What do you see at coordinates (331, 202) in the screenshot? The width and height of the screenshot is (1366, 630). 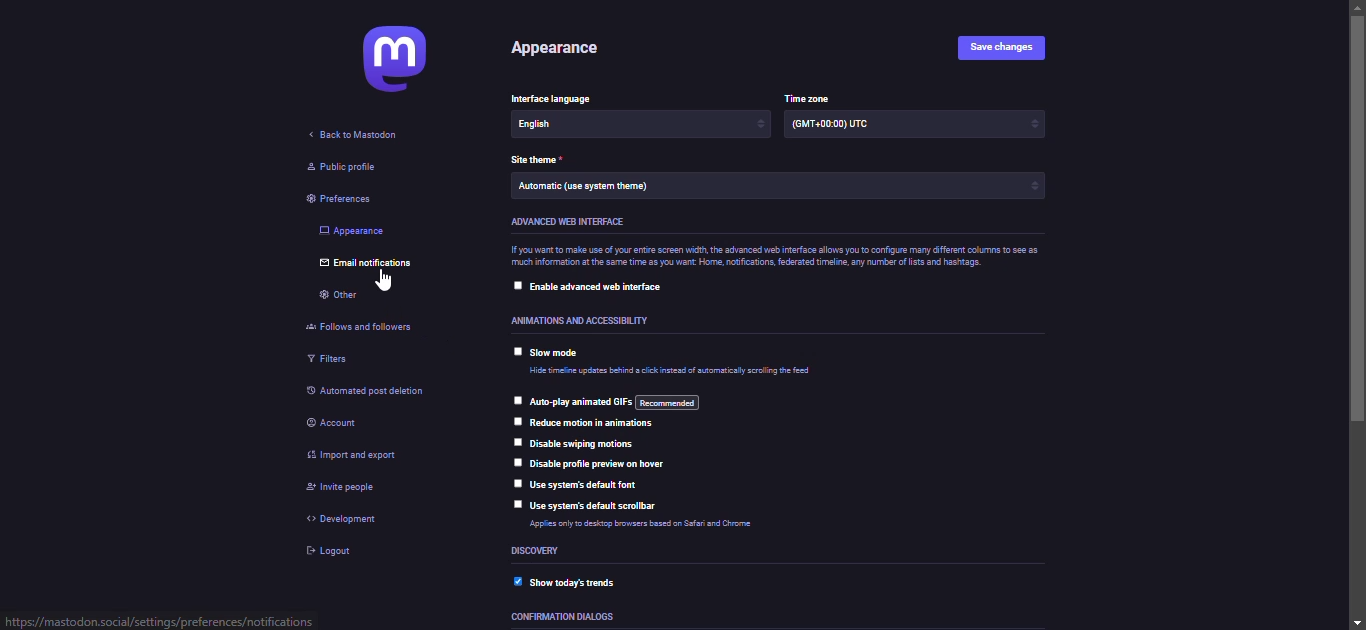 I see `preferences` at bounding box center [331, 202].